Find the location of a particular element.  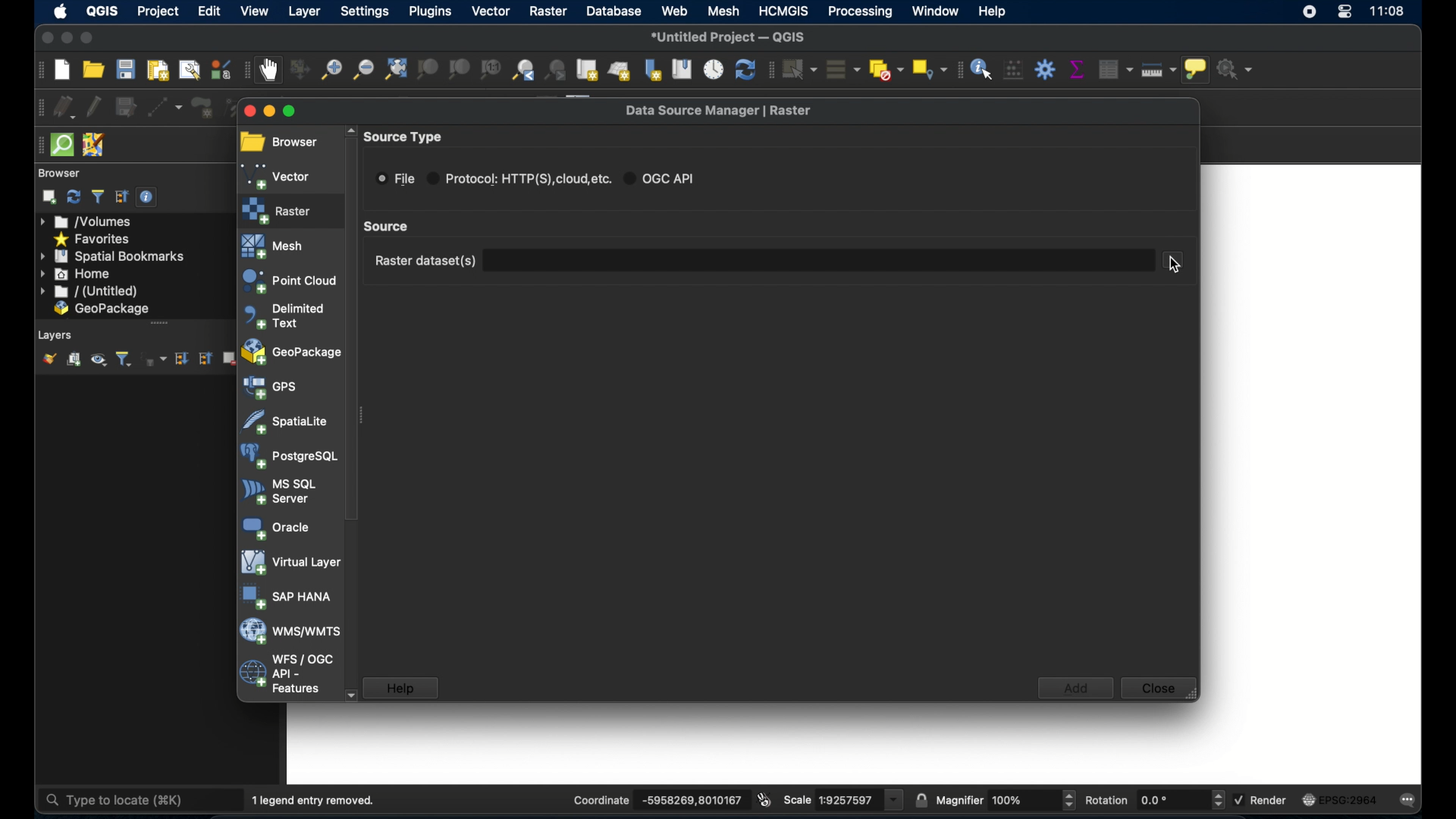

pan map to selection is located at coordinates (302, 70).